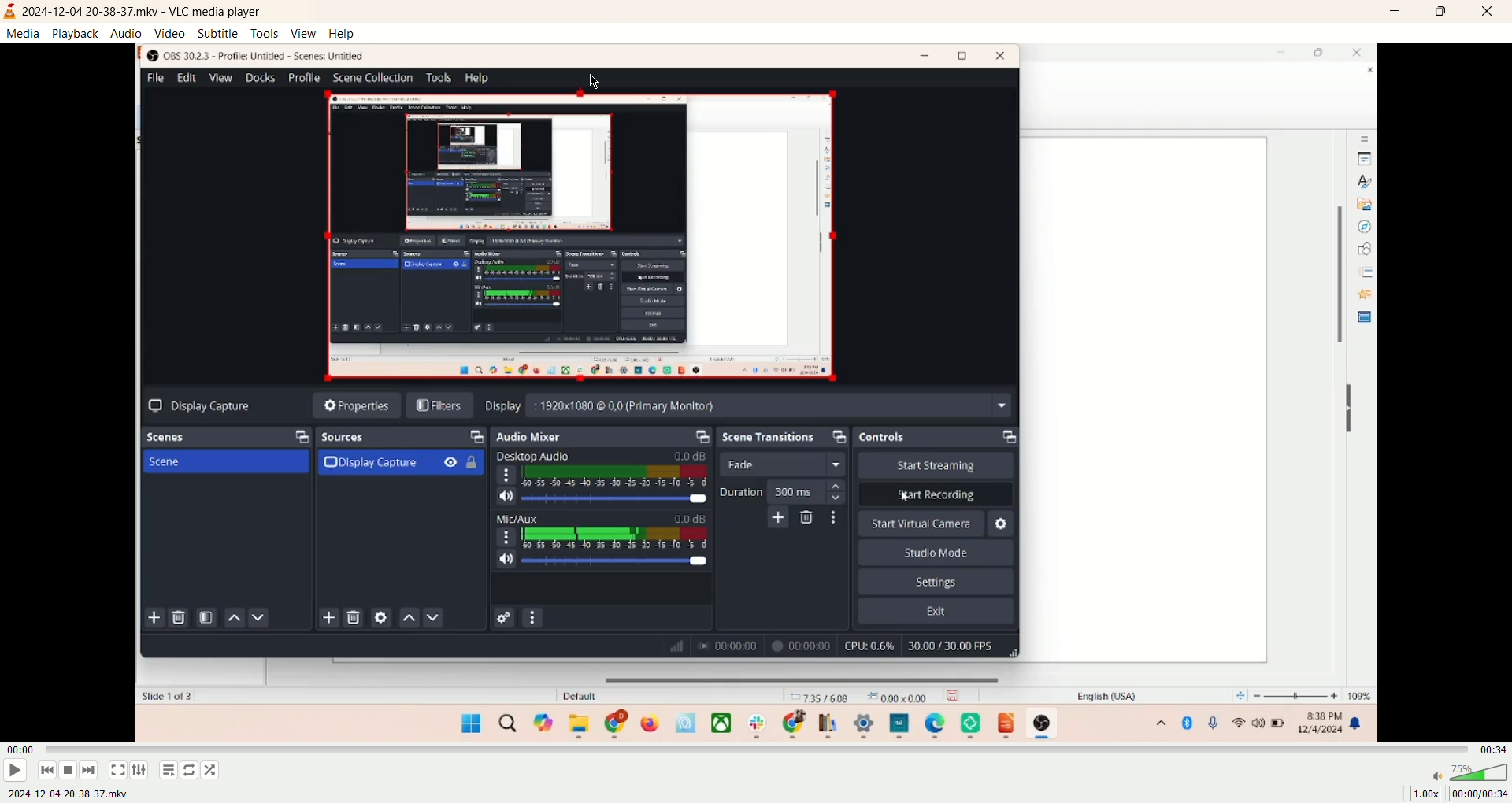  Describe the element at coordinates (70, 770) in the screenshot. I see `stop` at that location.